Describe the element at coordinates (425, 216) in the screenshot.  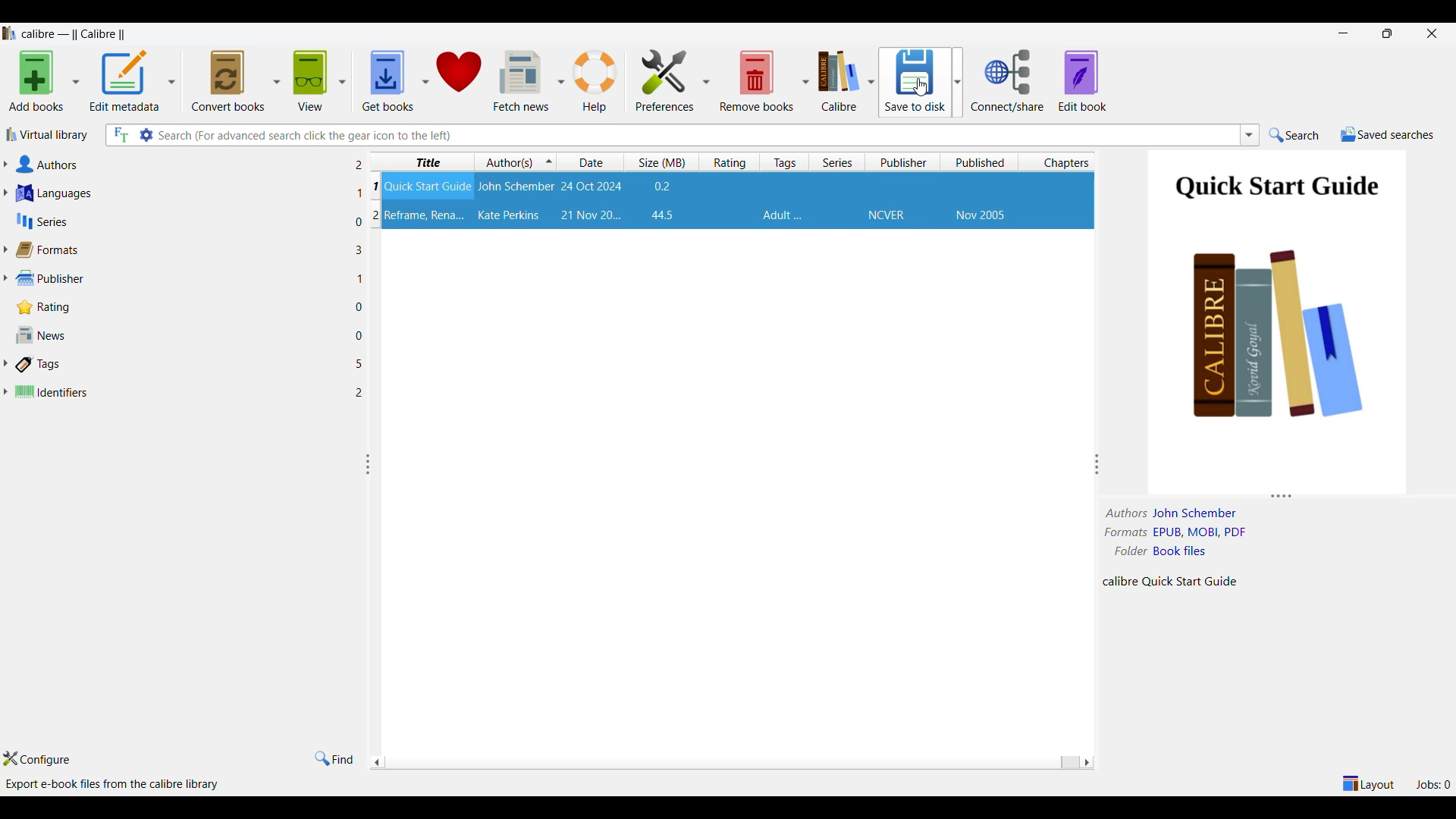
I see `title` at that location.